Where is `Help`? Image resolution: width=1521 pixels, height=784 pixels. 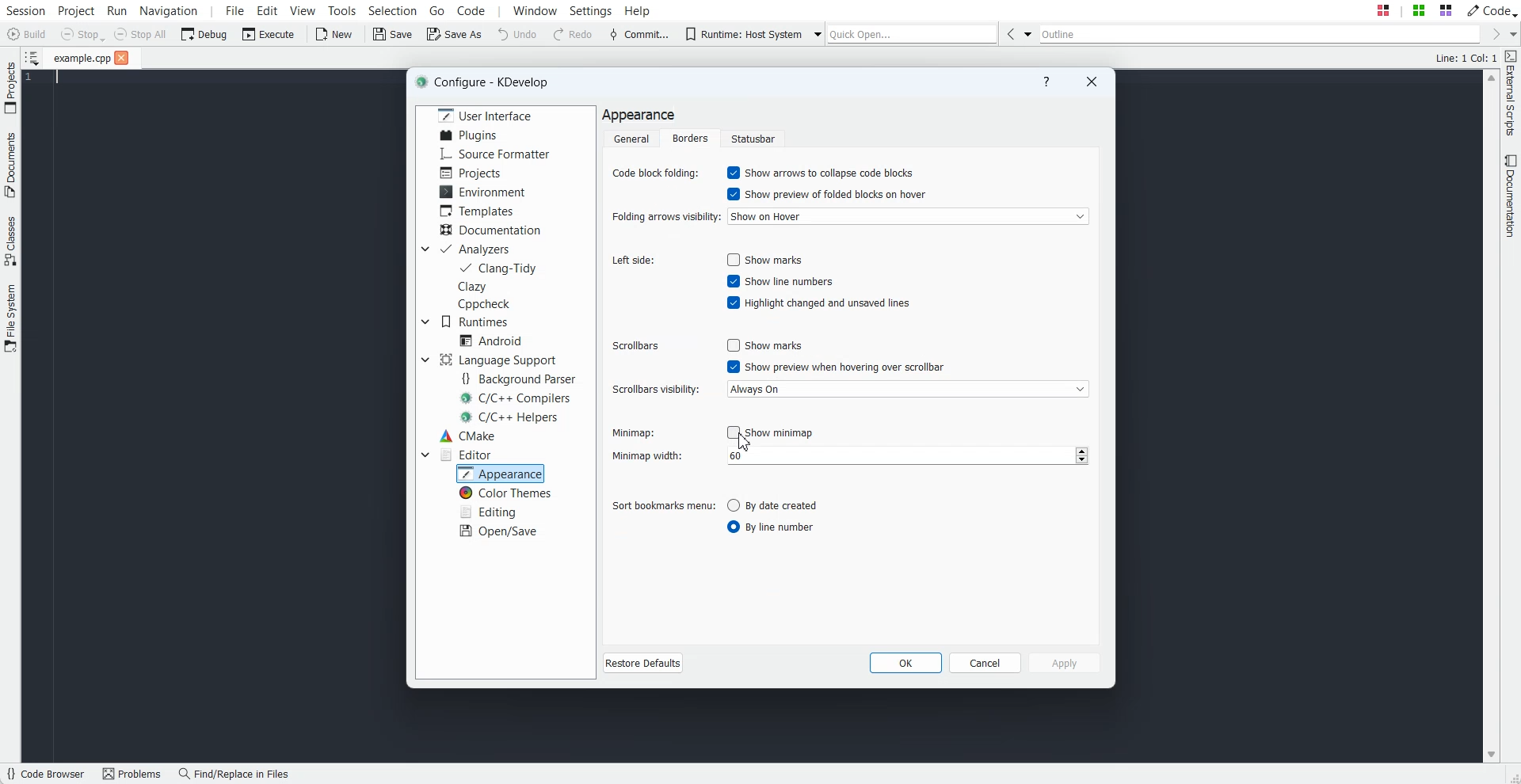
Help is located at coordinates (1046, 81).